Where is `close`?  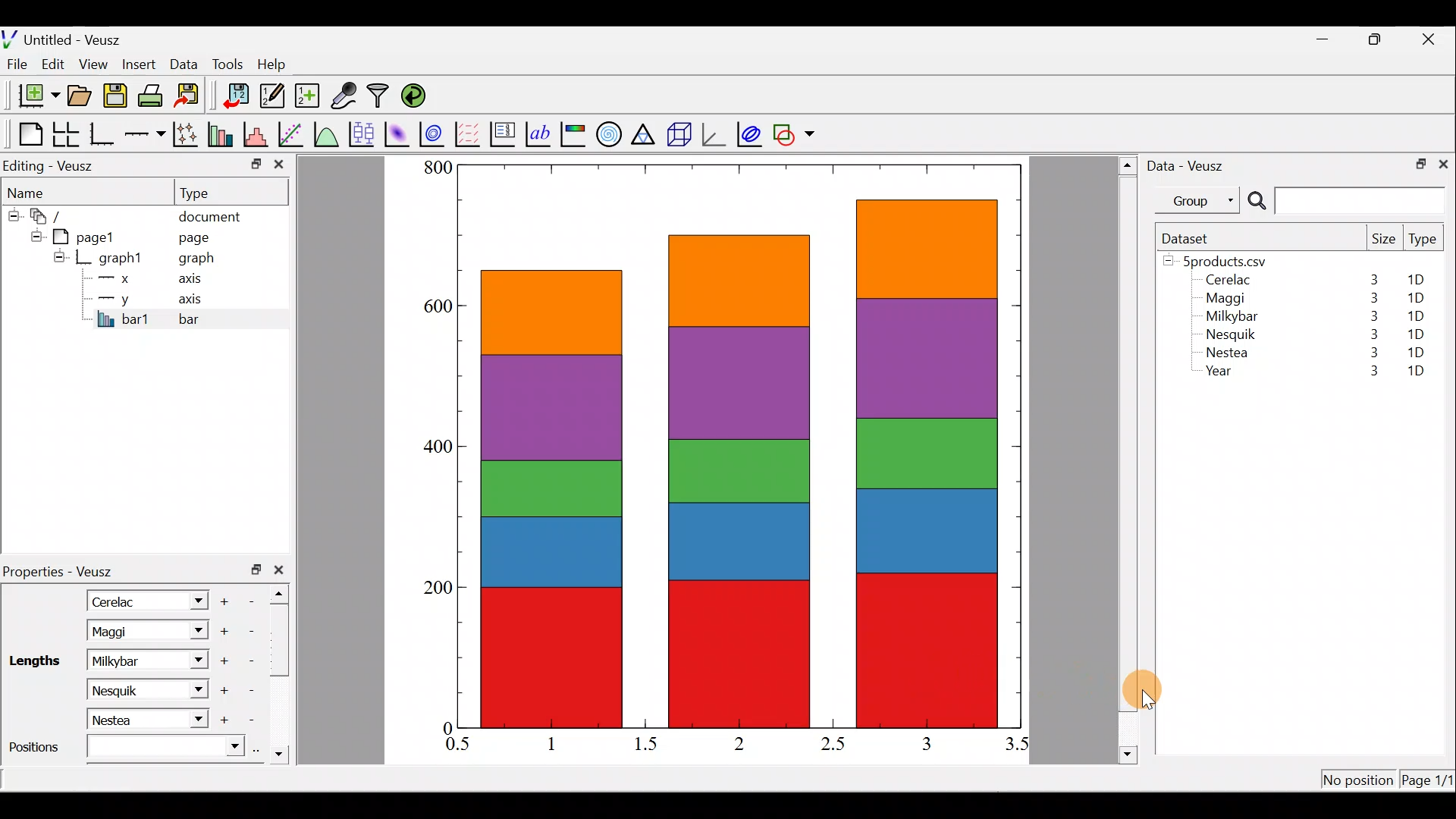 close is located at coordinates (279, 168).